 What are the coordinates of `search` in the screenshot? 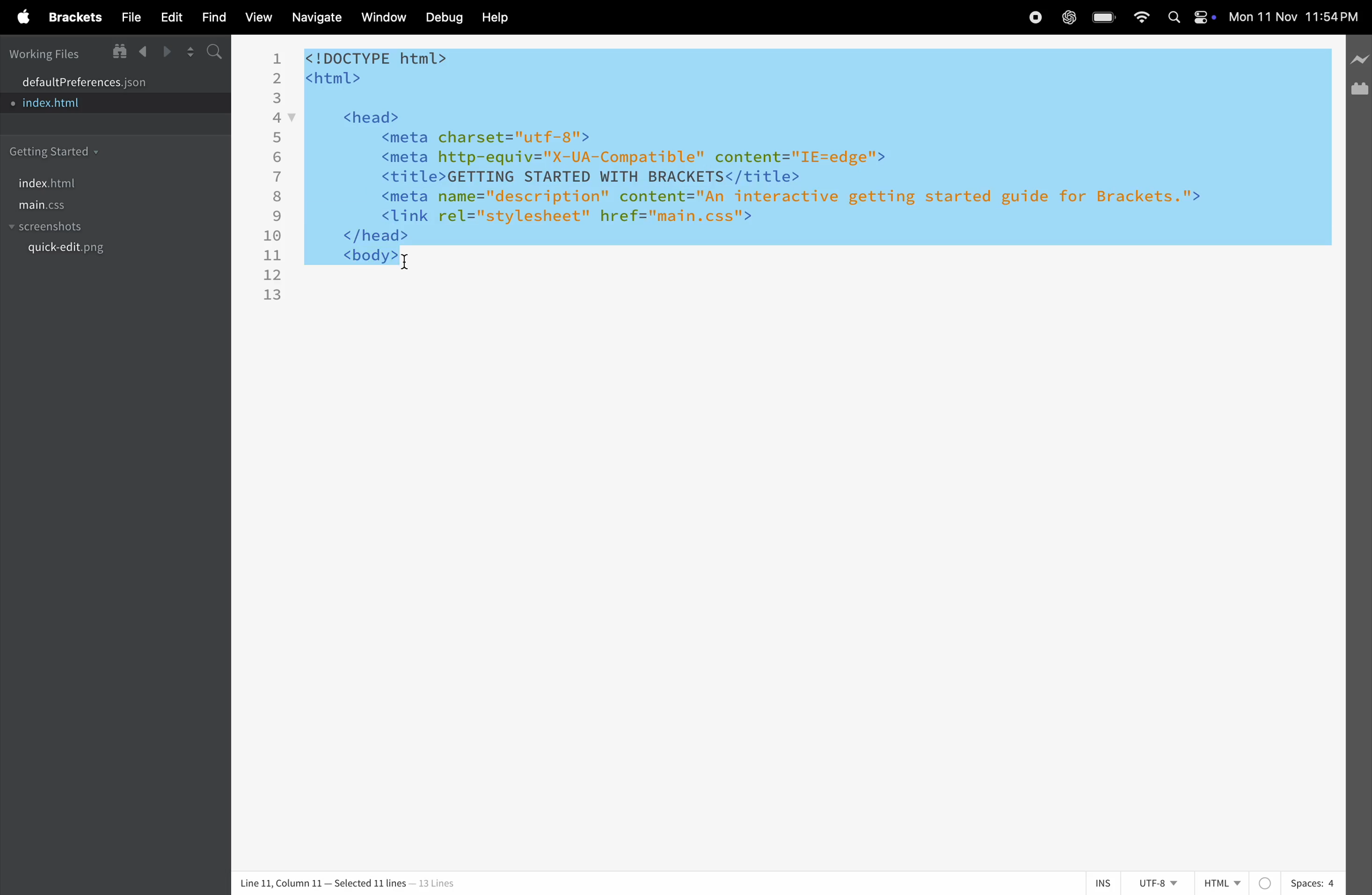 It's located at (212, 53).